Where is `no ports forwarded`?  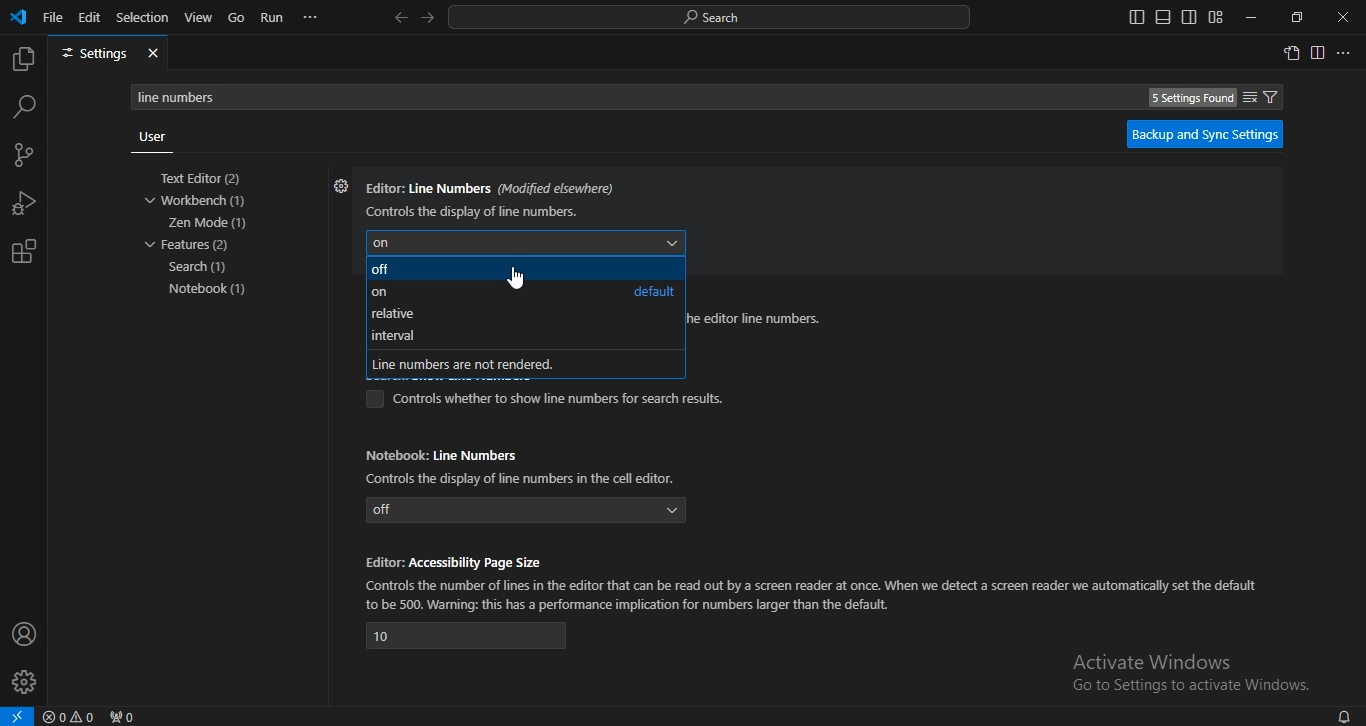
no ports forwarded is located at coordinates (124, 716).